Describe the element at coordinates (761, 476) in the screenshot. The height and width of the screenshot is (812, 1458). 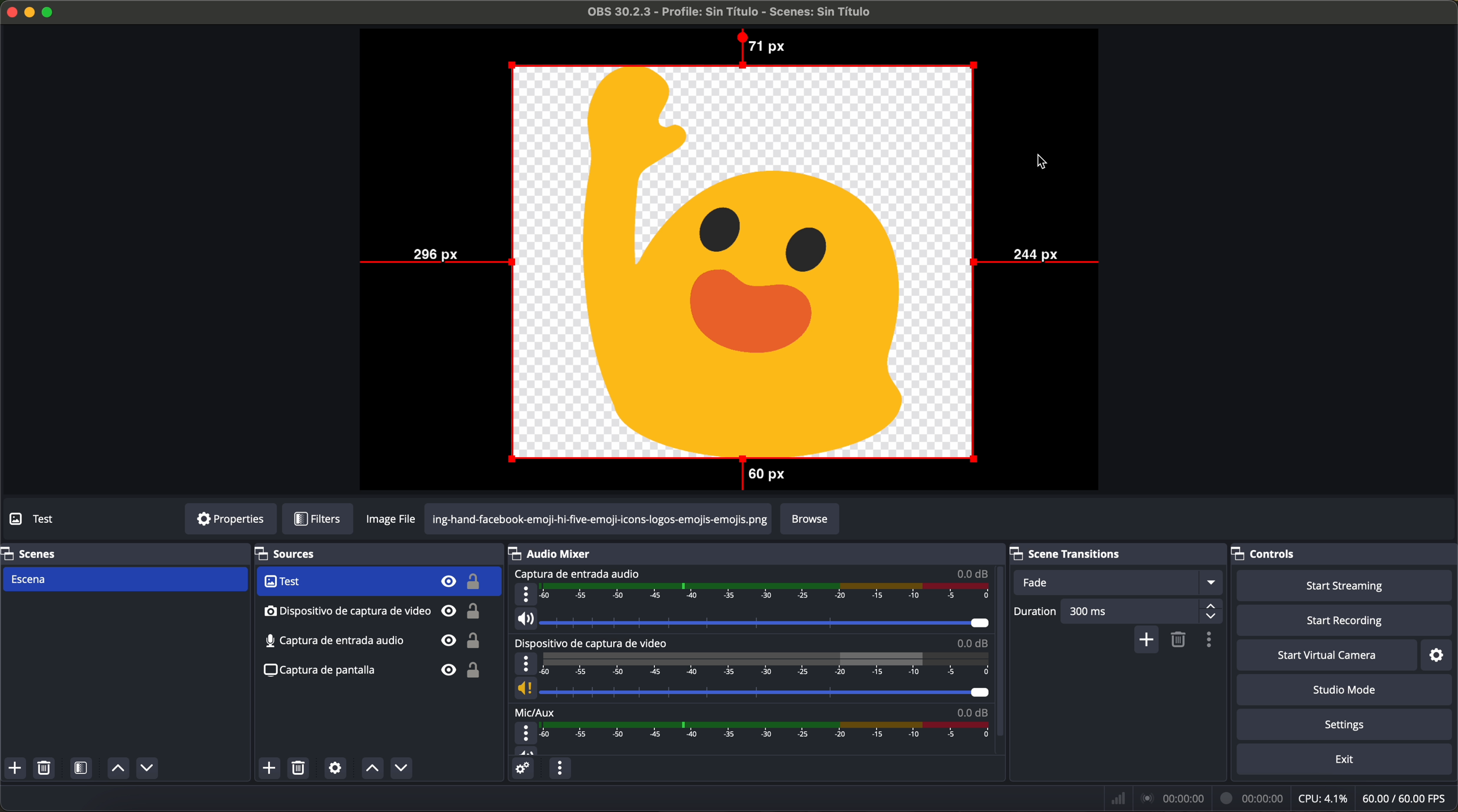
I see `60 px` at that location.